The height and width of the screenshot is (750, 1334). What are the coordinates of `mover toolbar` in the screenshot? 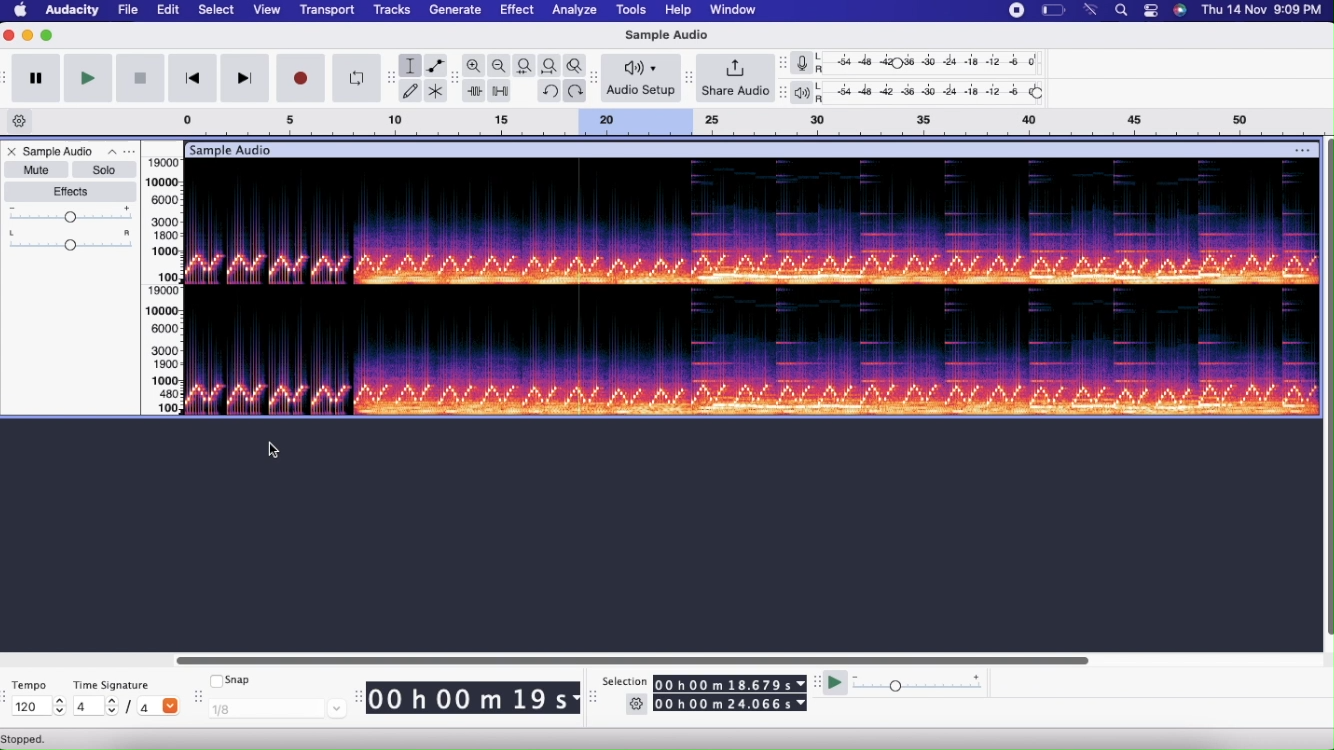 It's located at (687, 78).